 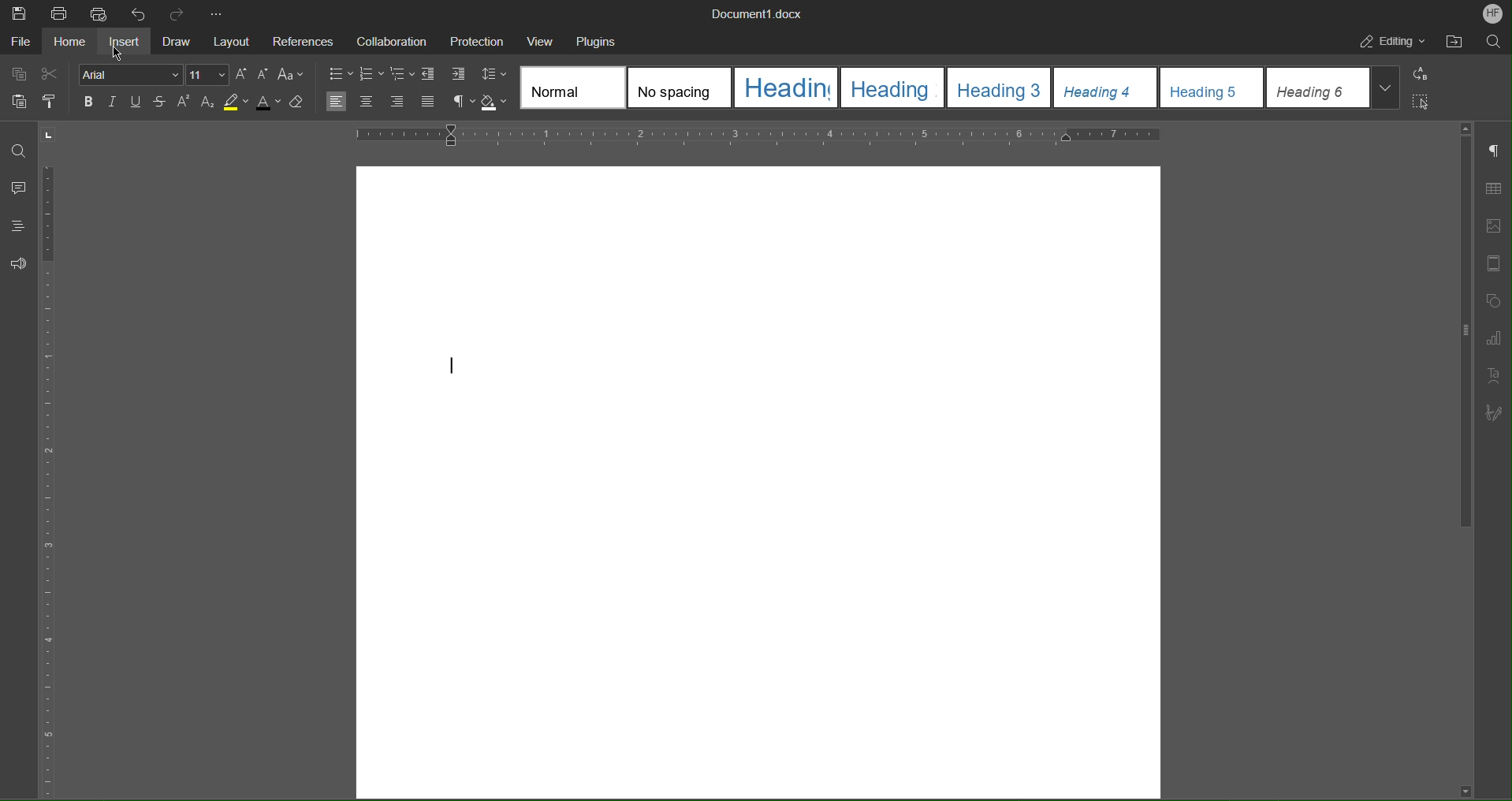 What do you see at coordinates (241, 75) in the screenshot?
I see `Increase font` at bounding box center [241, 75].